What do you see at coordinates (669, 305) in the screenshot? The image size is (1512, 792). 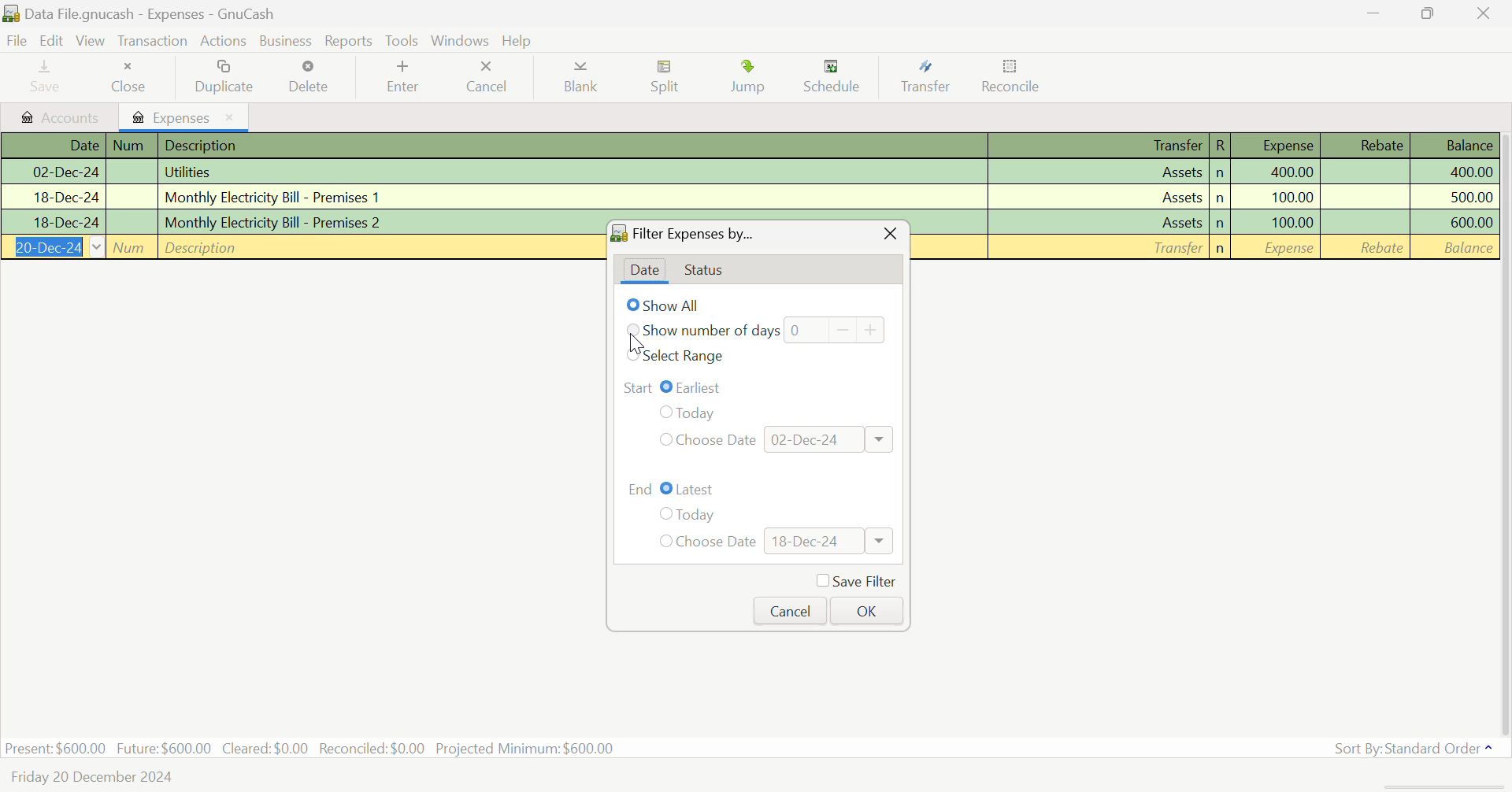 I see `Show All` at bounding box center [669, 305].